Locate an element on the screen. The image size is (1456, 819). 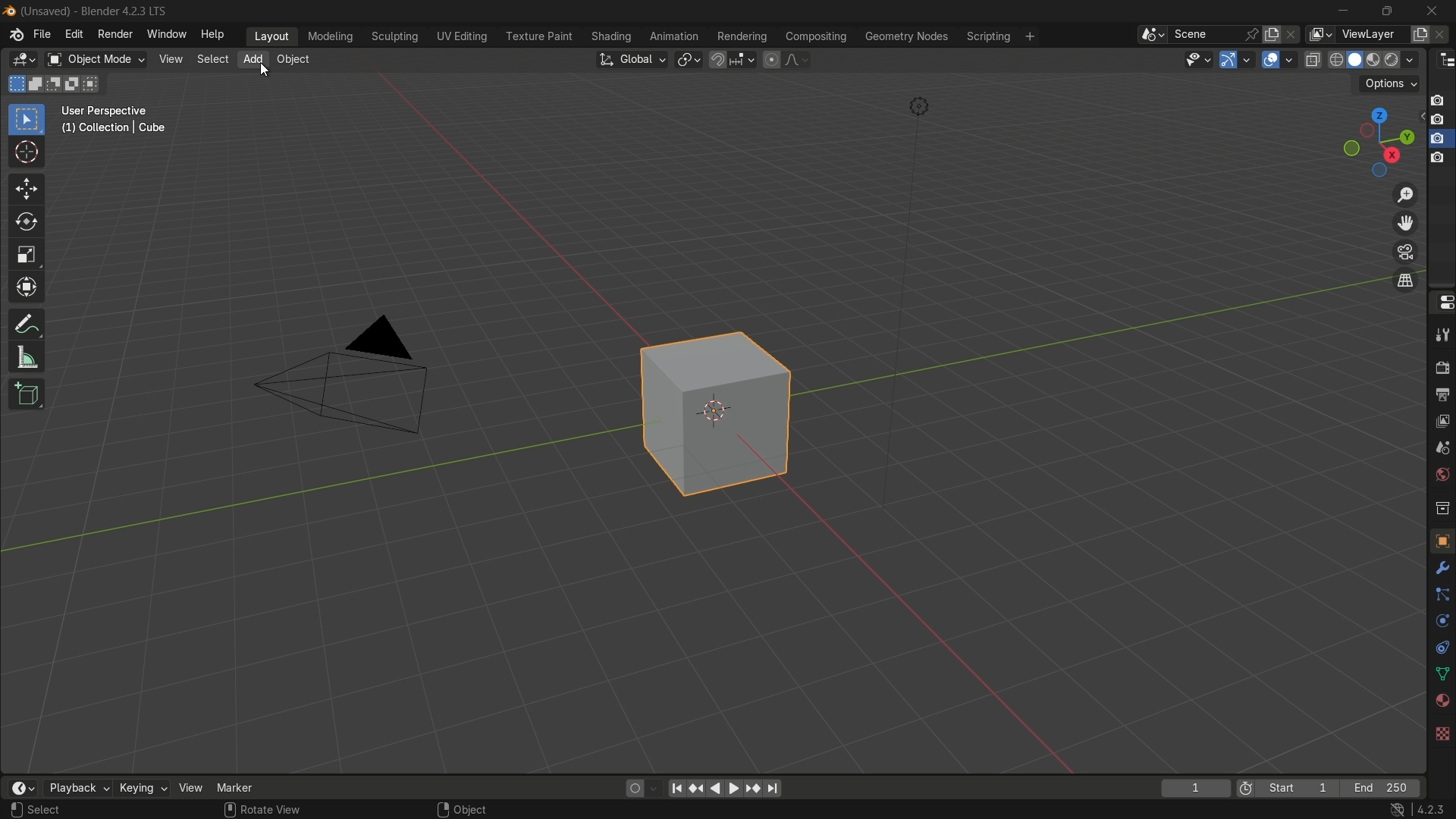
texture is located at coordinates (1442, 733).